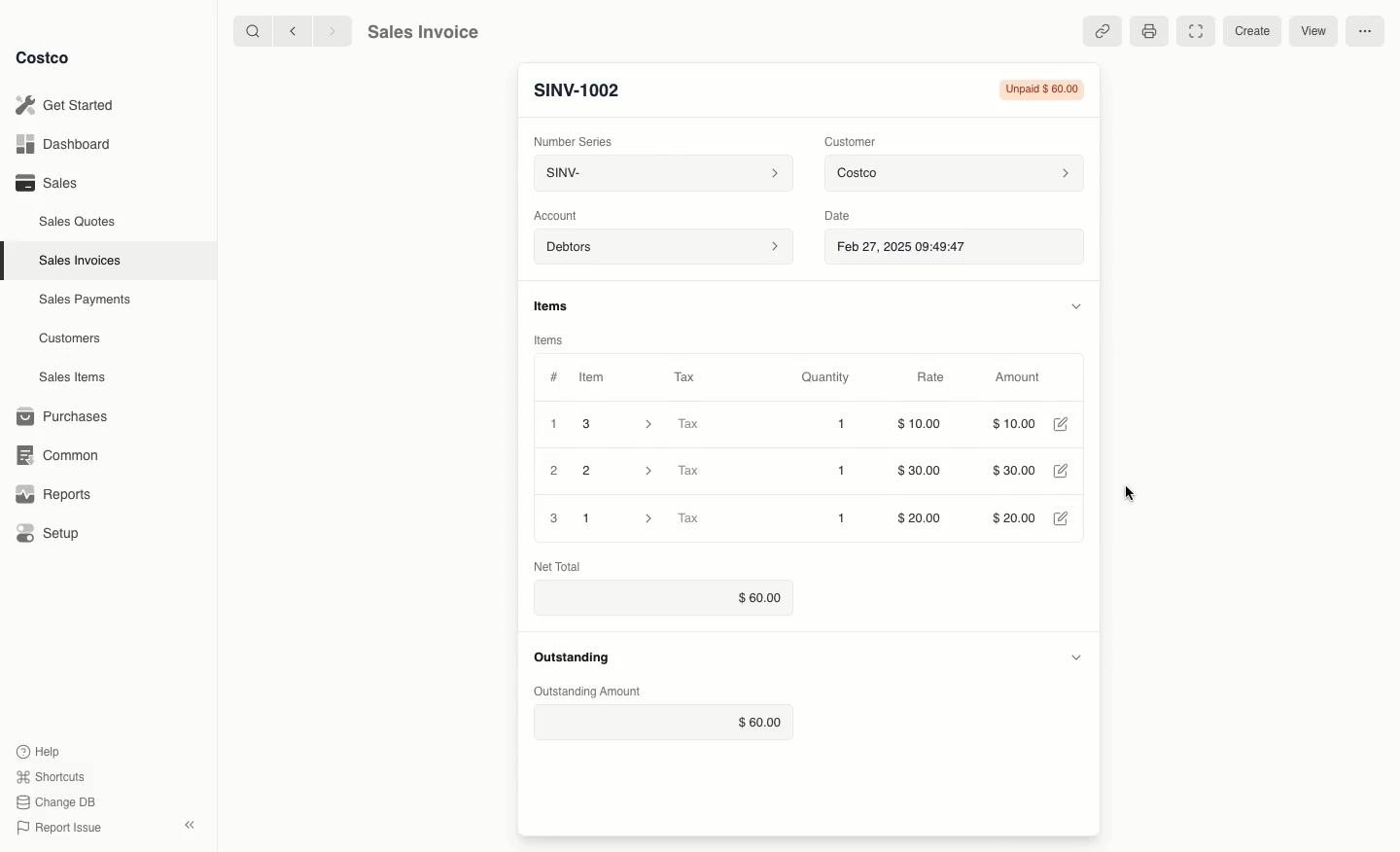 The width and height of the screenshot is (1400, 852). What do you see at coordinates (577, 90) in the screenshot?
I see `New Entry` at bounding box center [577, 90].